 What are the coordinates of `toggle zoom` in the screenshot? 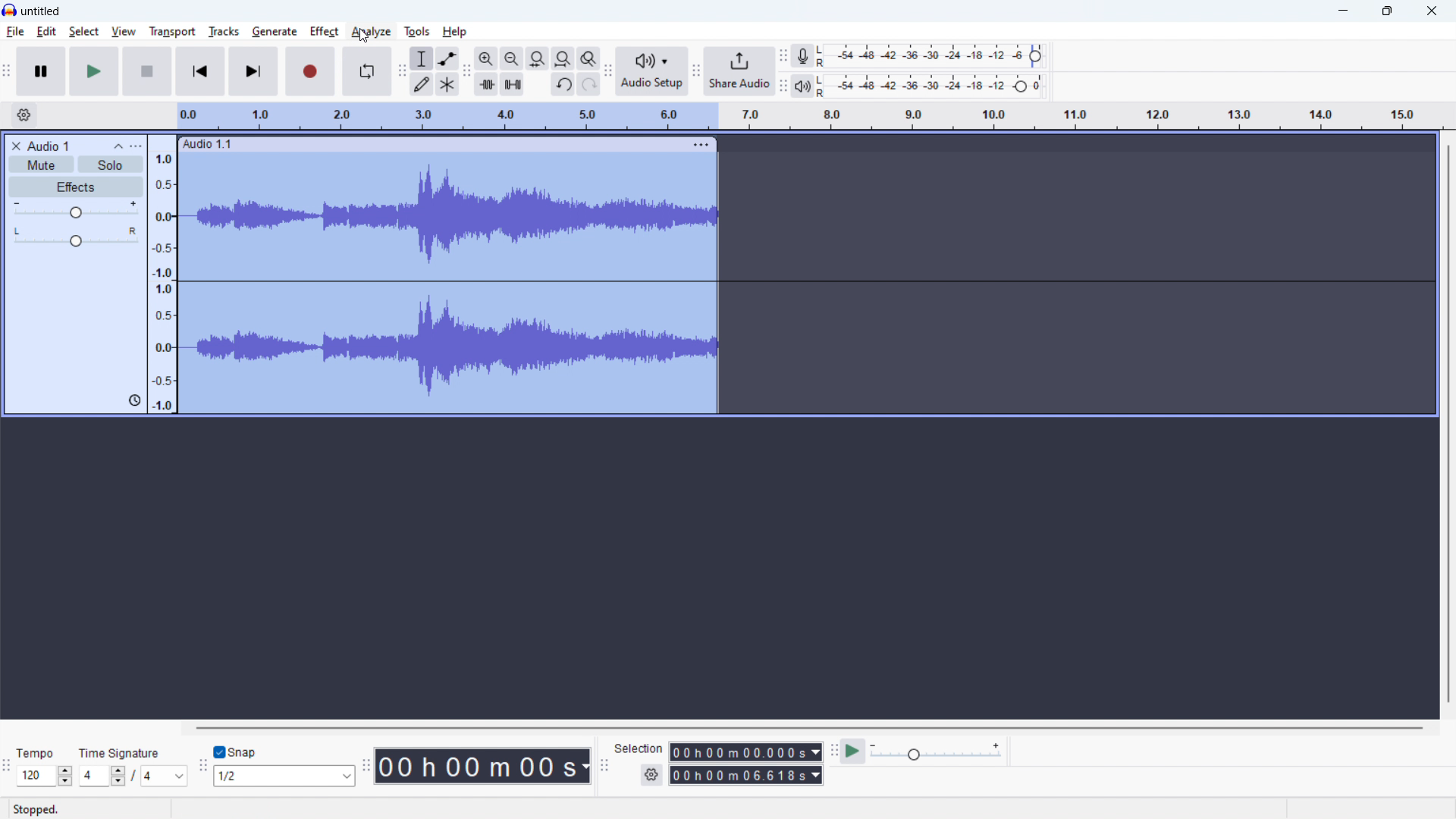 It's located at (588, 58).